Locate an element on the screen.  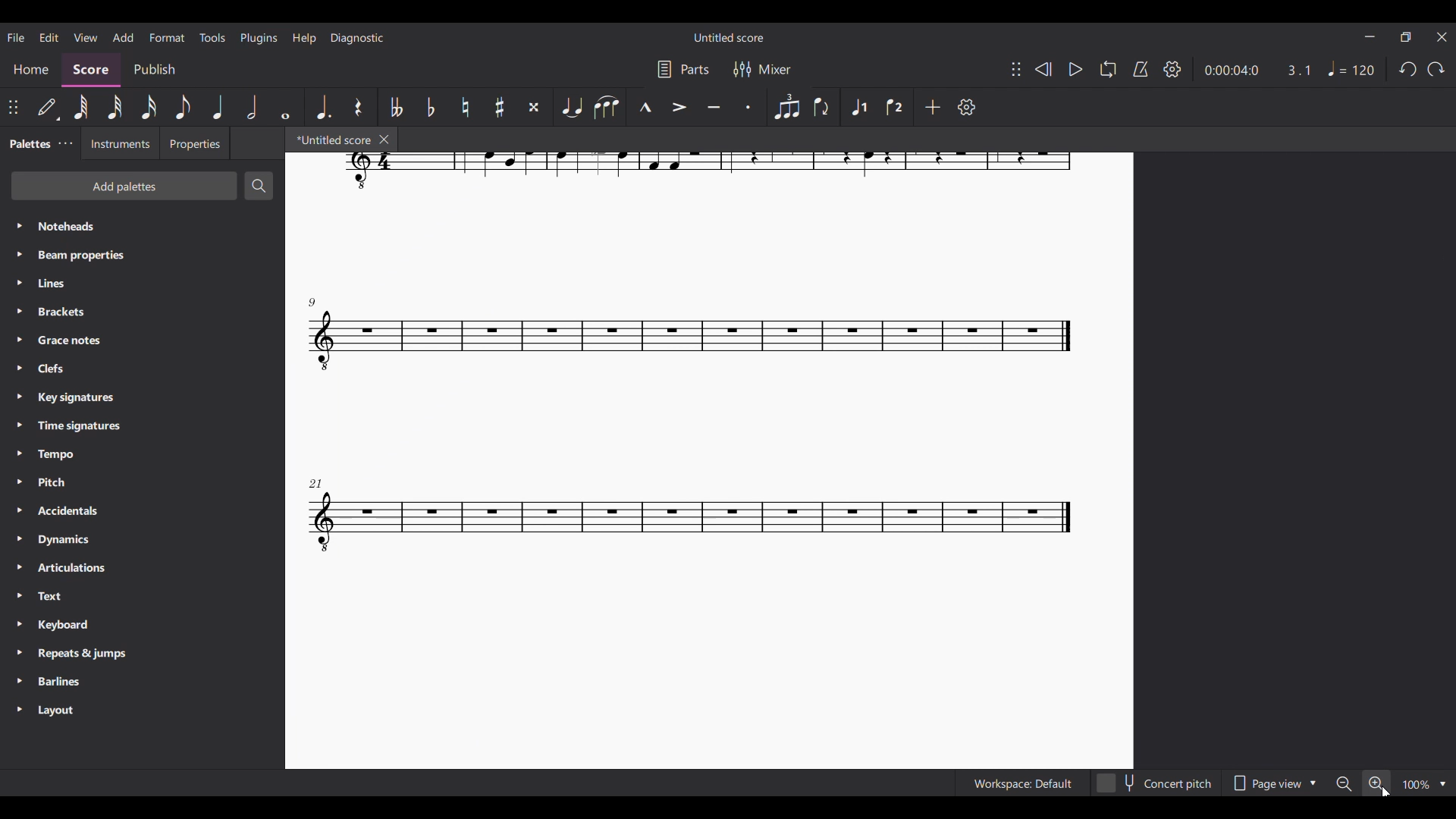
Settings is located at coordinates (967, 106).